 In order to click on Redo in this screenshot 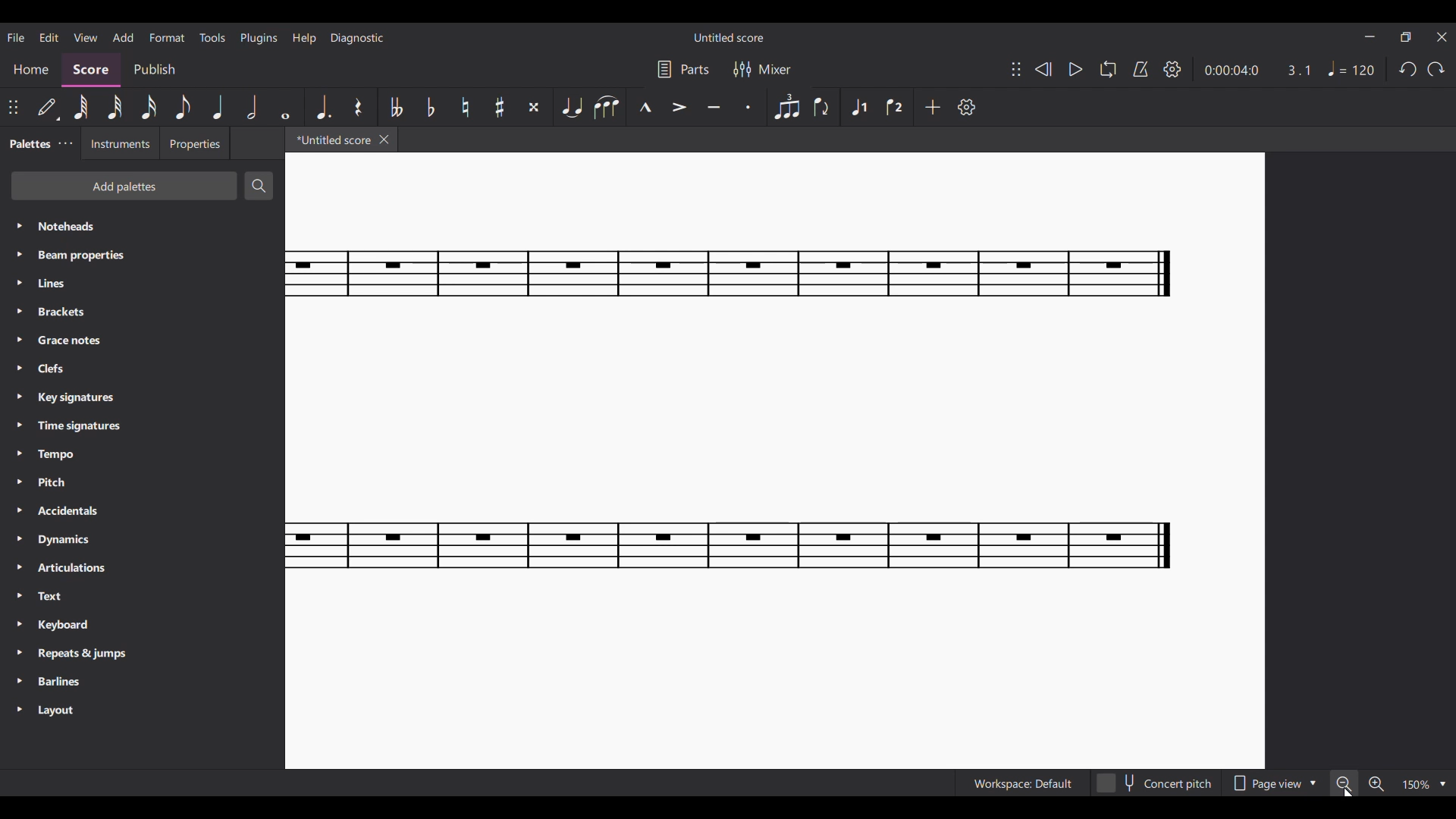, I will do `click(1436, 70)`.